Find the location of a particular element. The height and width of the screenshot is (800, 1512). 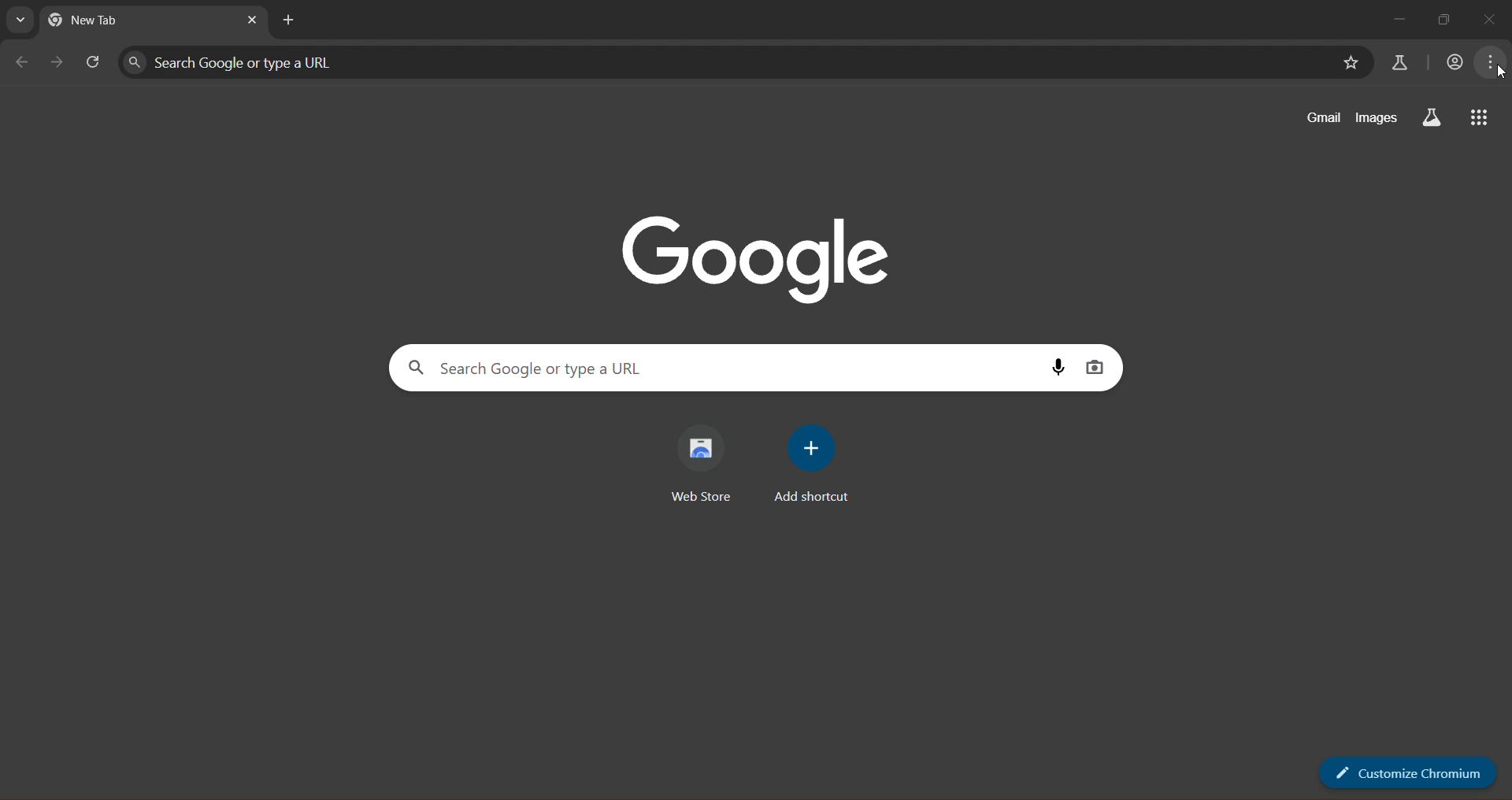

close tab is located at coordinates (252, 20).